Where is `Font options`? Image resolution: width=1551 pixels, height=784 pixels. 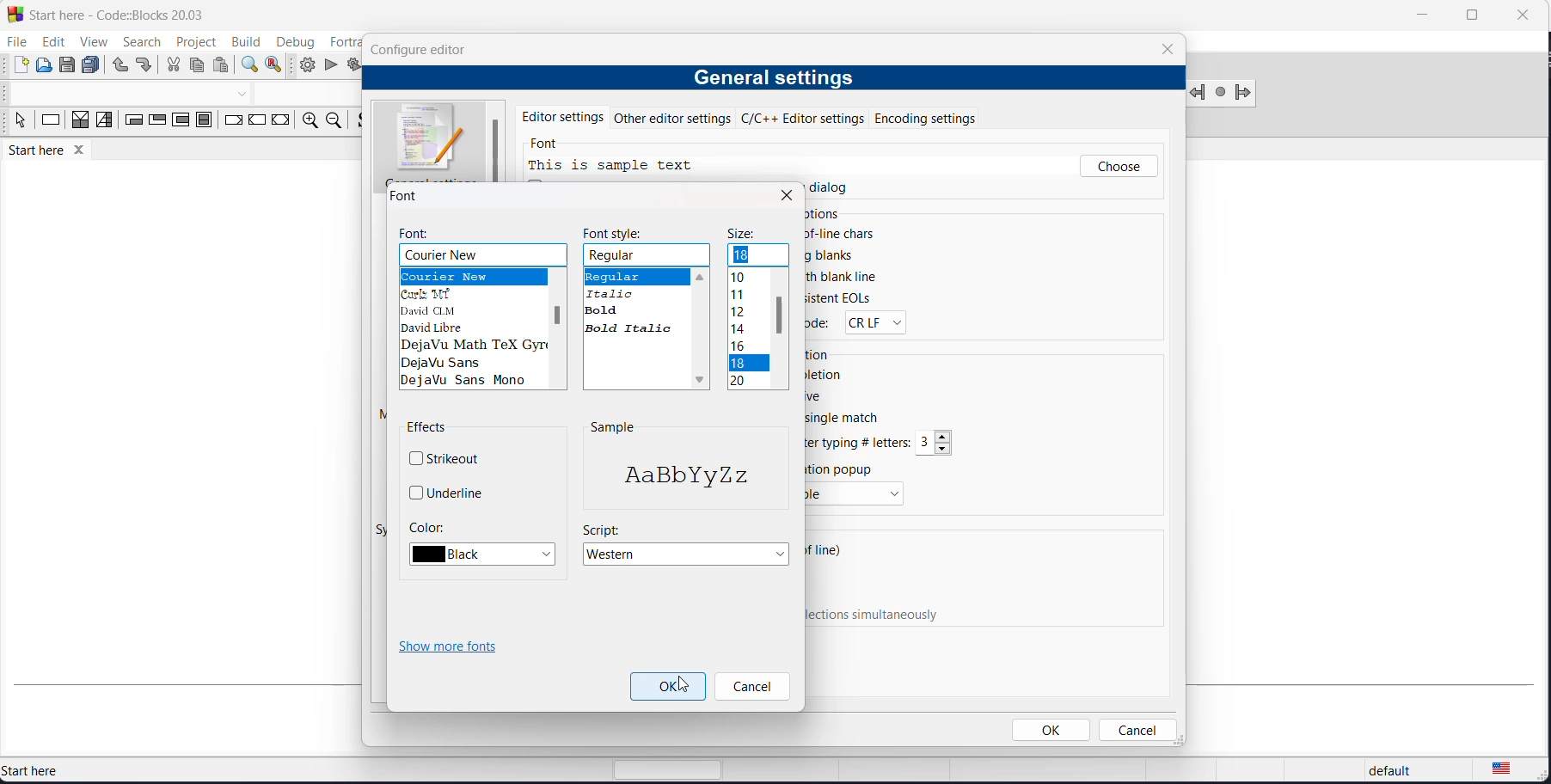 Font options is located at coordinates (740, 331).